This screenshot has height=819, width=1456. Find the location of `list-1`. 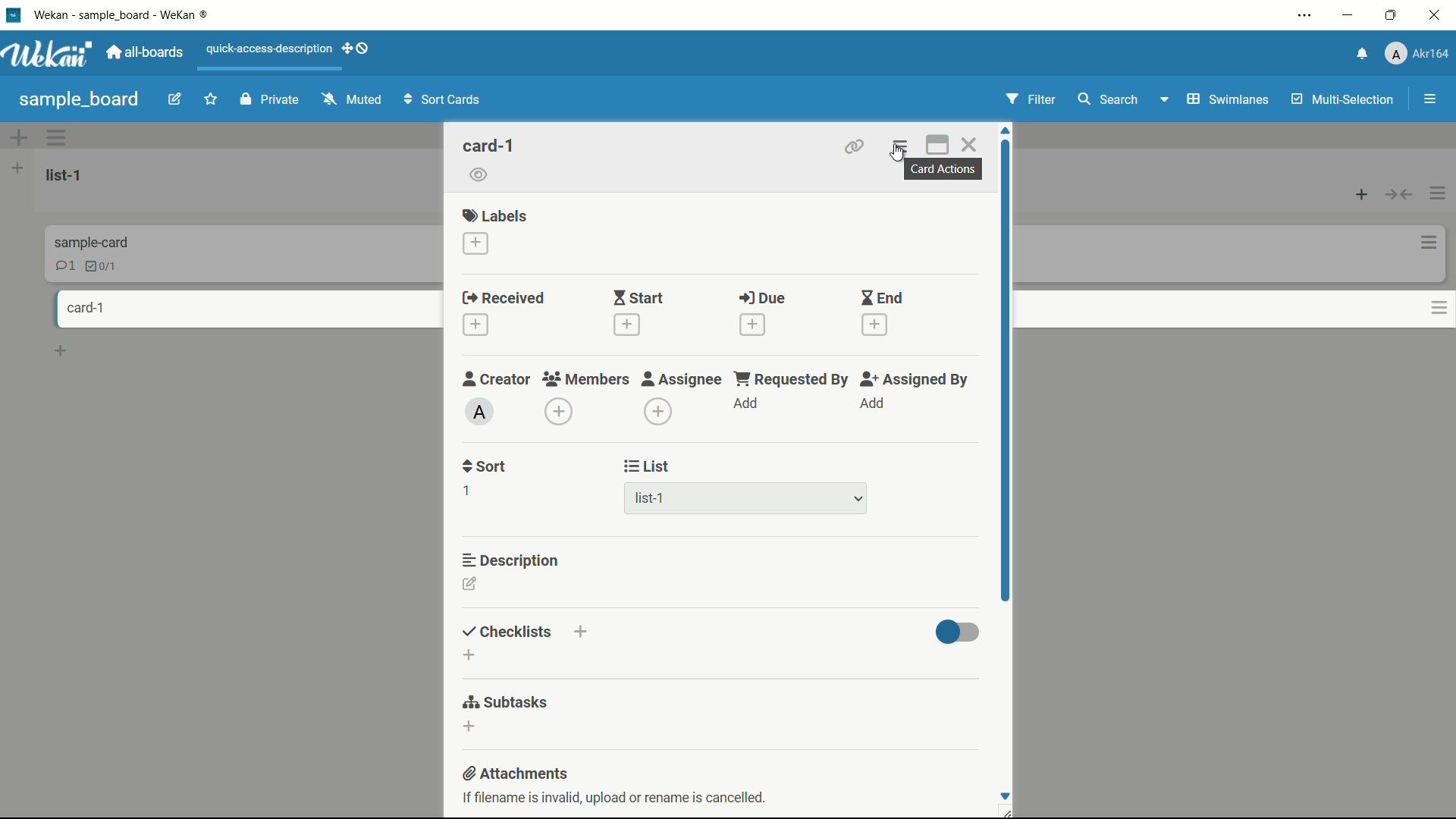

list-1 is located at coordinates (673, 497).